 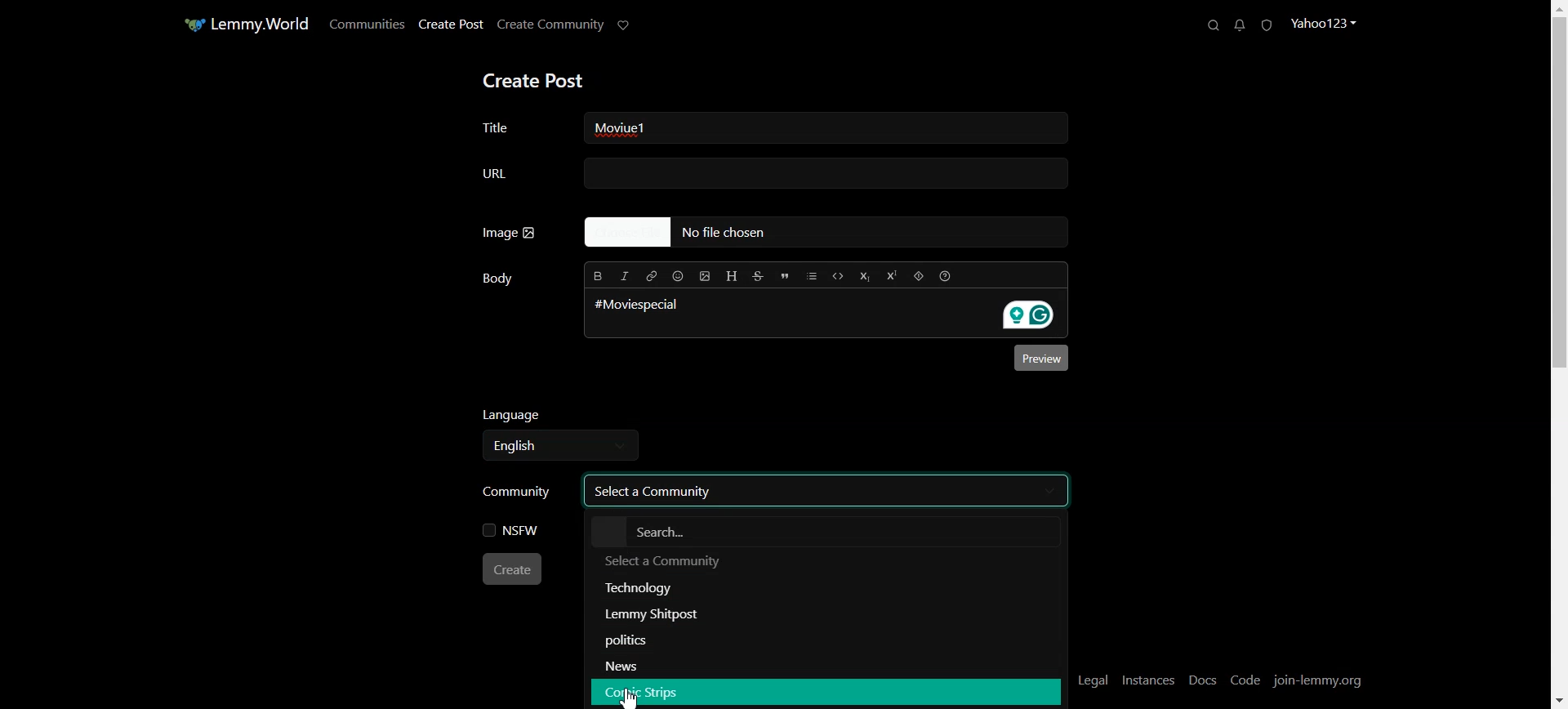 What do you see at coordinates (1209, 25) in the screenshot?
I see `Search` at bounding box center [1209, 25].